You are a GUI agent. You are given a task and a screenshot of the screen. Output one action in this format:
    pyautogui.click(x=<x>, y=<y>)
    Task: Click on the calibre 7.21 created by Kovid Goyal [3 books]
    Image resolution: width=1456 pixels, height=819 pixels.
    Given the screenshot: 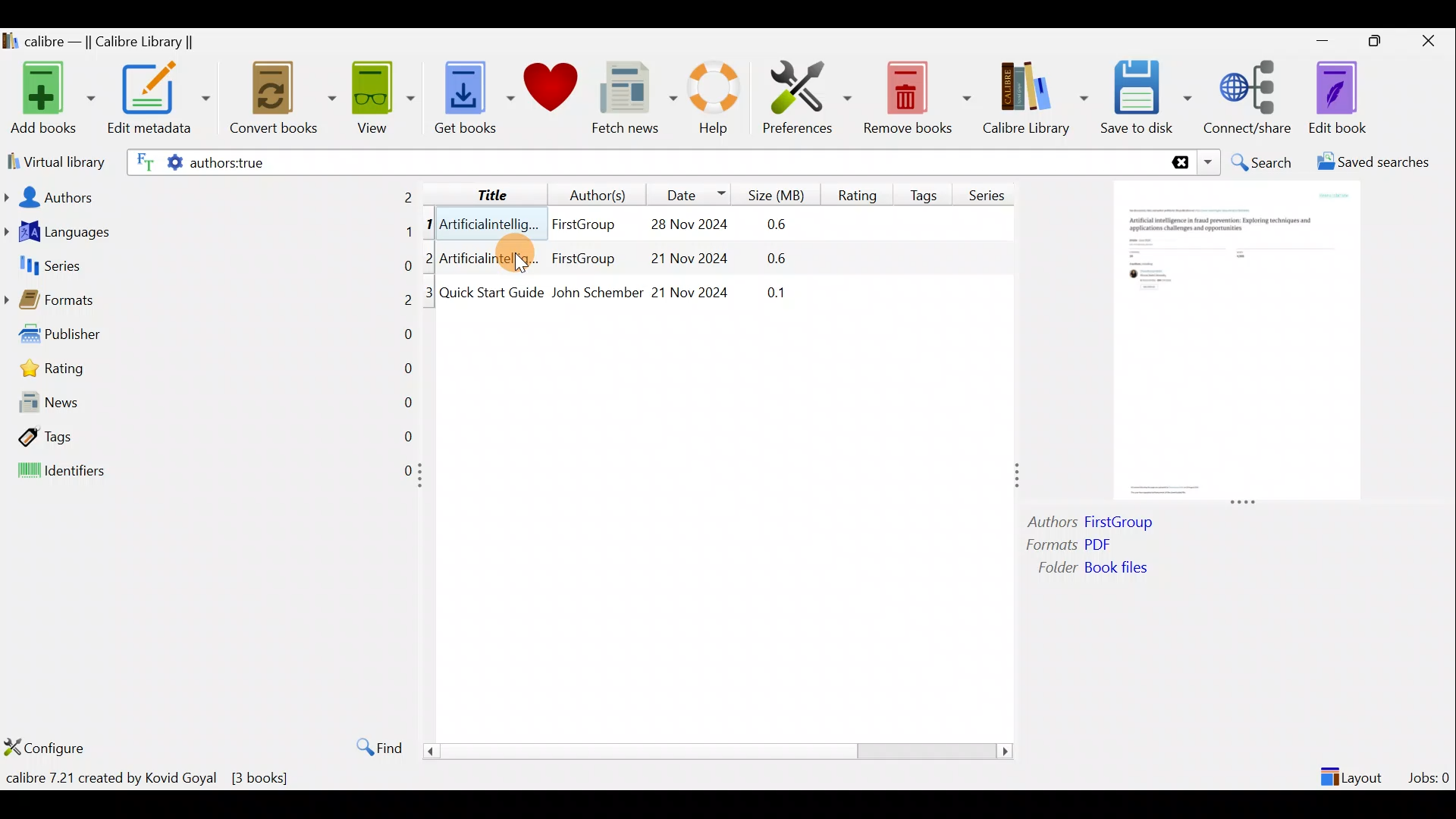 What is the action you would take?
    pyautogui.click(x=150, y=778)
    